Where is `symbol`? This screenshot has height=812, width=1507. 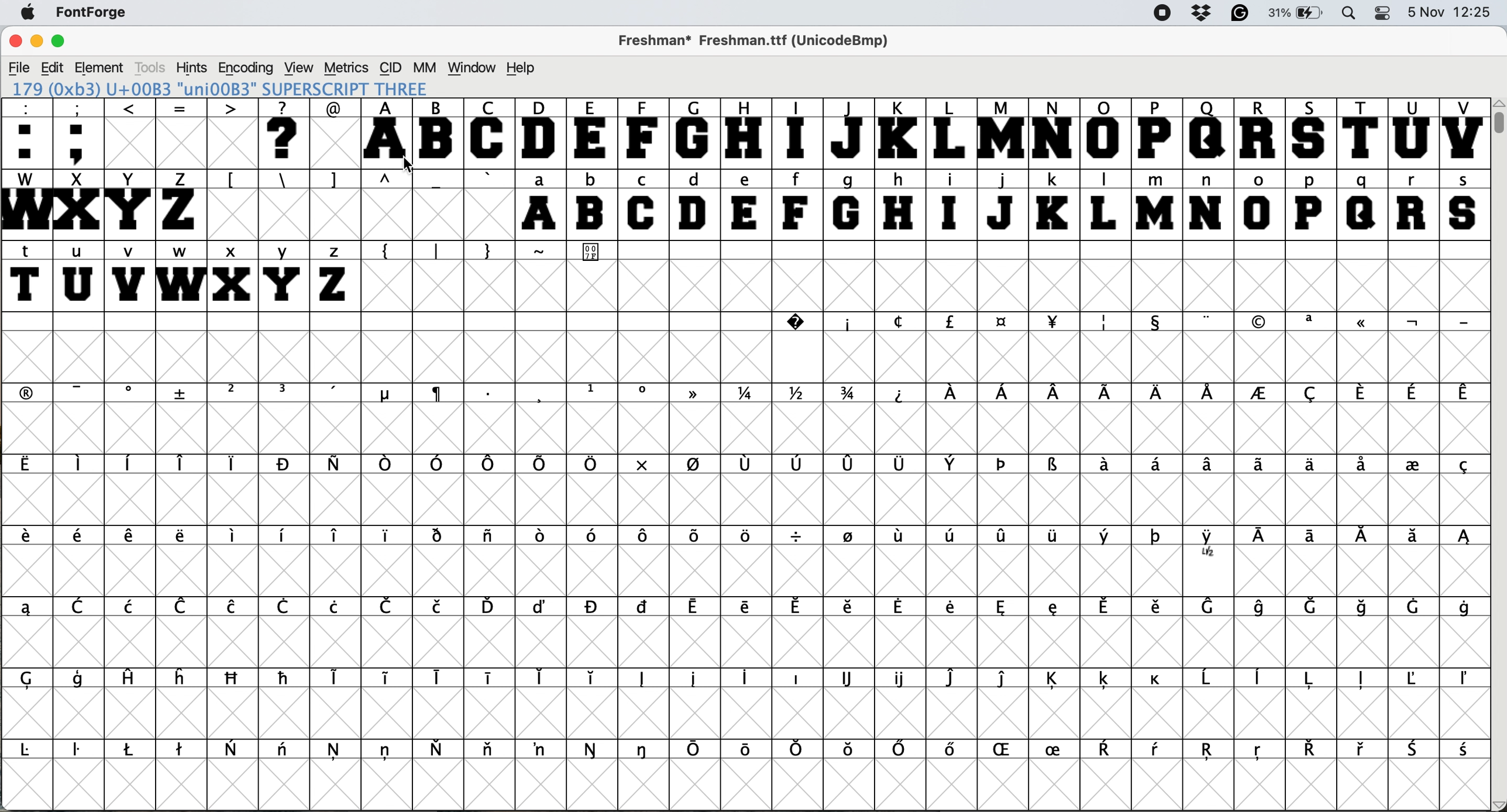 symbol is located at coordinates (1412, 606).